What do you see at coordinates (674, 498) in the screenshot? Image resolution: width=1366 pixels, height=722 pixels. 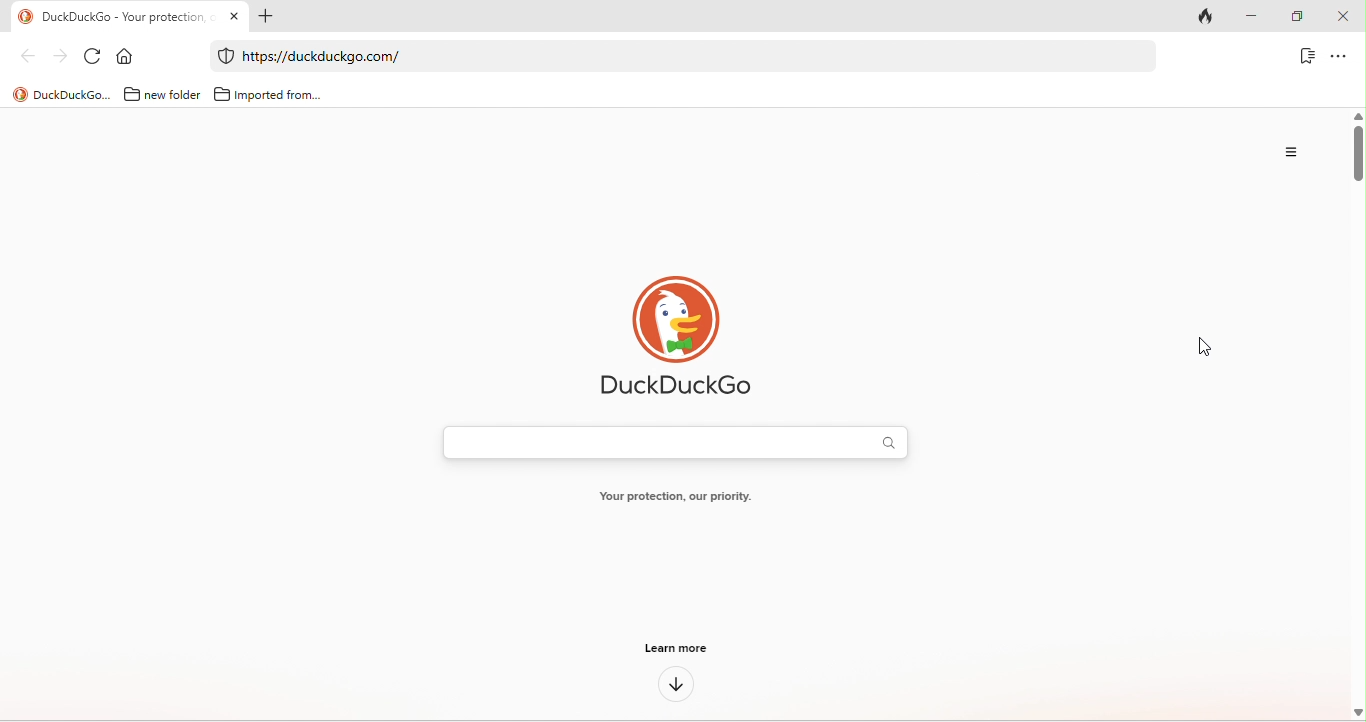 I see `your protection, our priority` at bounding box center [674, 498].